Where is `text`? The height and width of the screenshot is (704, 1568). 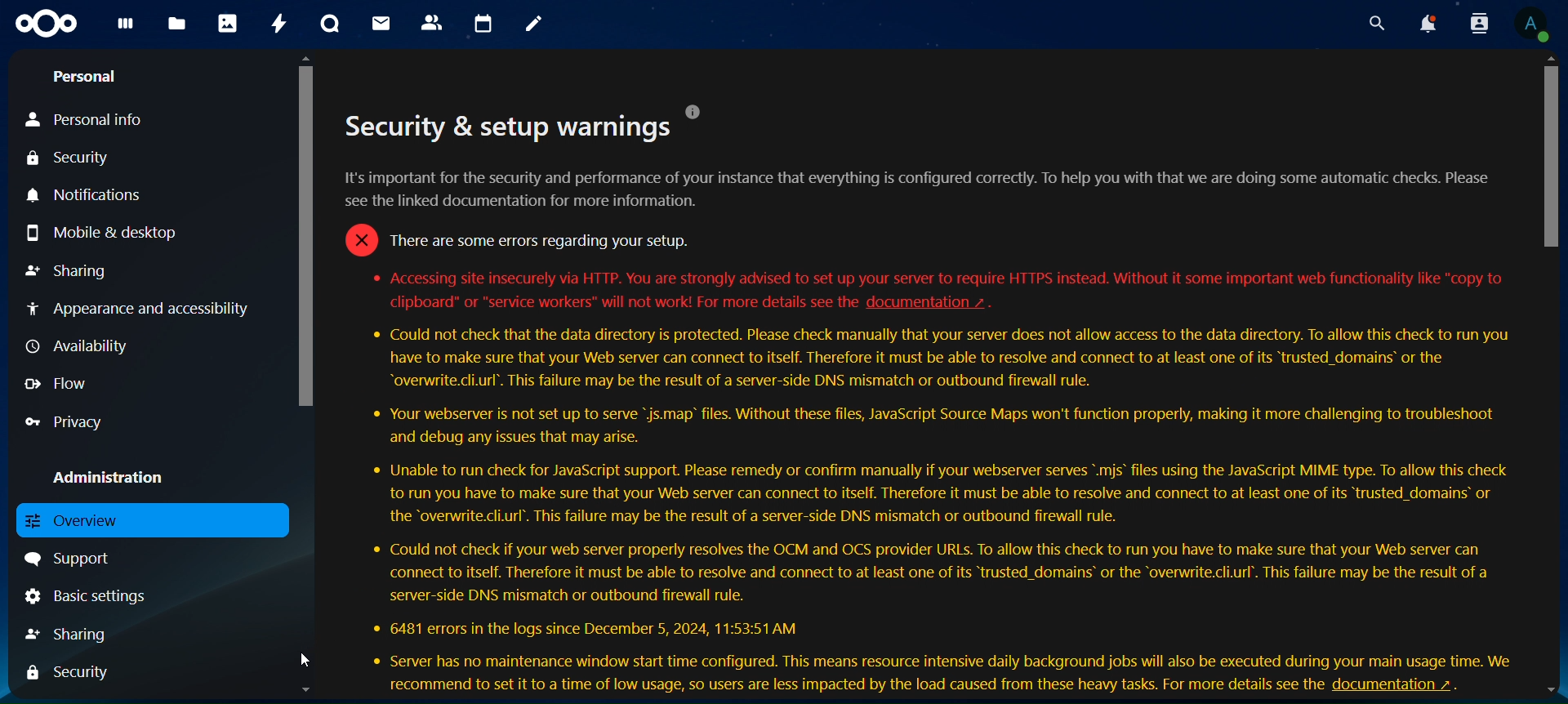
text is located at coordinates (620, 303).